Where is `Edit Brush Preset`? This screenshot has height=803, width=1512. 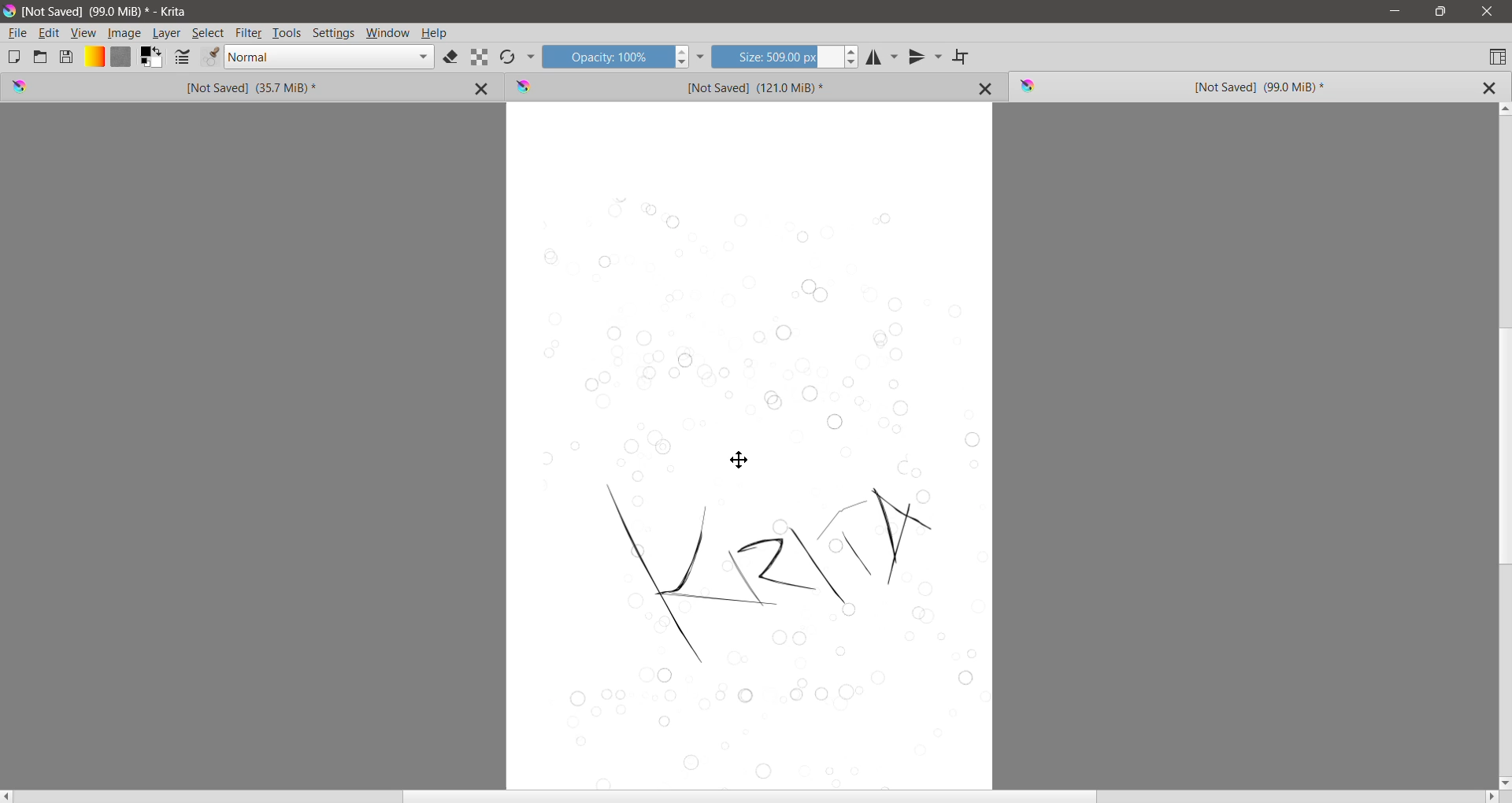 Edit Brush Preset is located at coordinates (209, 57).